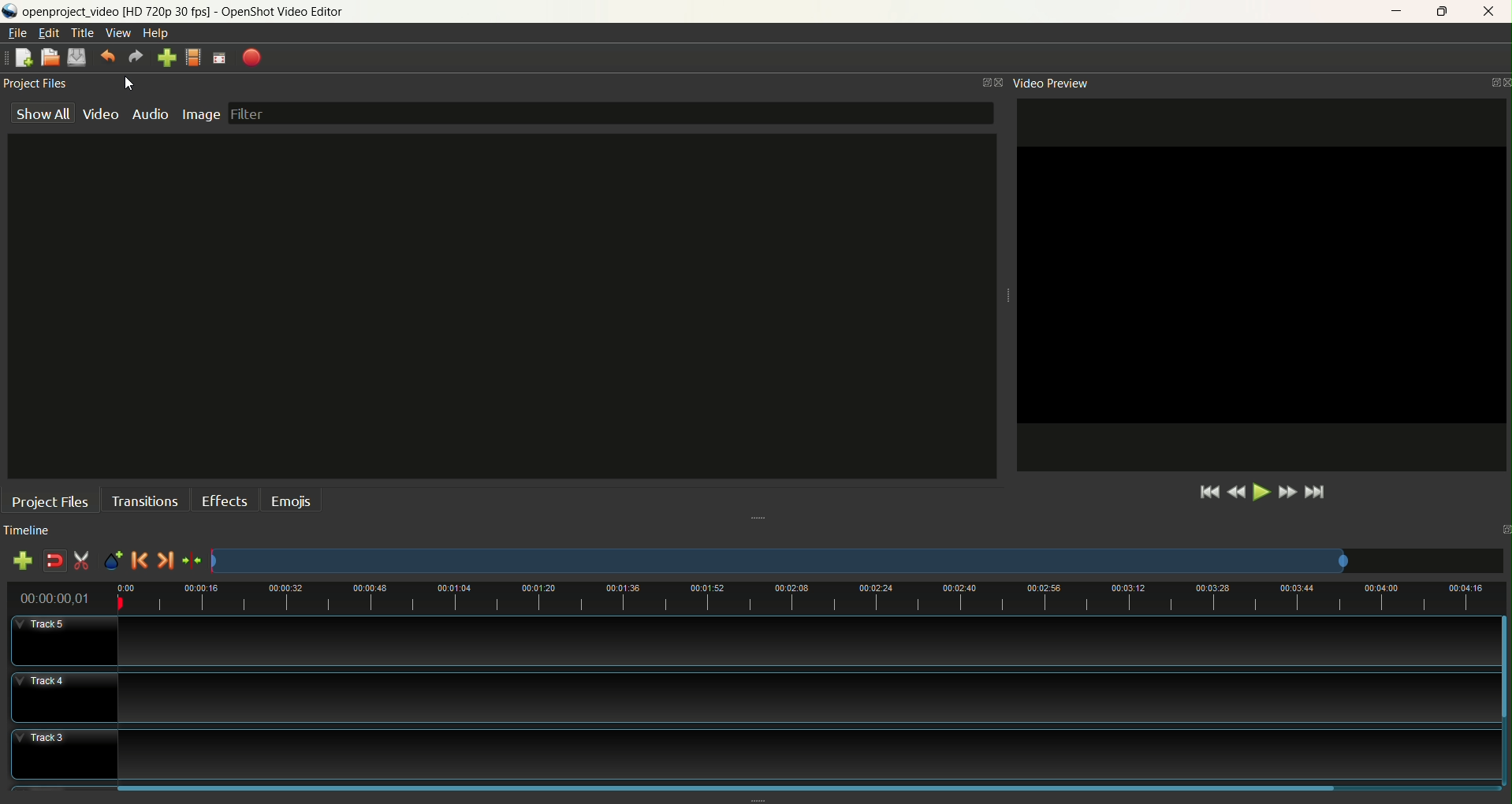 The height and width of the screenshot is (804, 1512). Describe the element at coordinates (130, 86) in the screenshot. I see `cursor` at that location.